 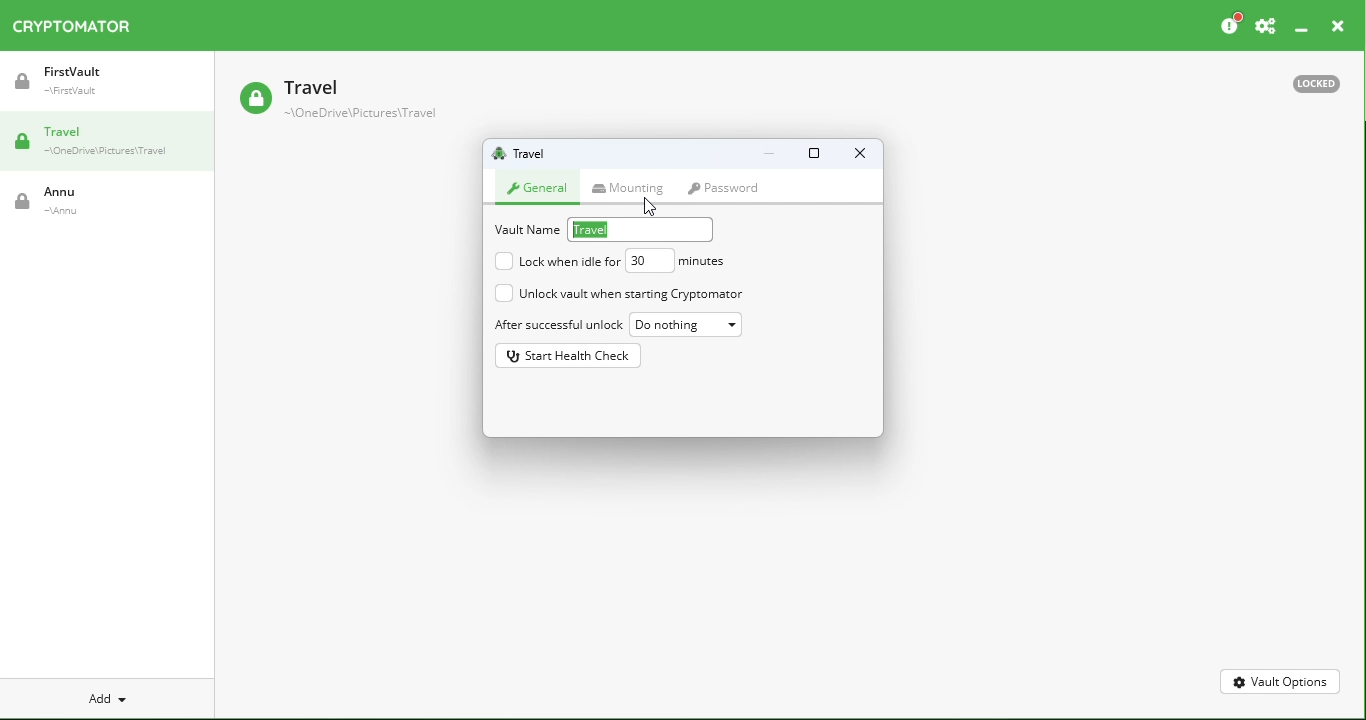 What do you see at coordinates (367, 100) in the screenshot?
I see `Vault` at bounding box center [367, 100].